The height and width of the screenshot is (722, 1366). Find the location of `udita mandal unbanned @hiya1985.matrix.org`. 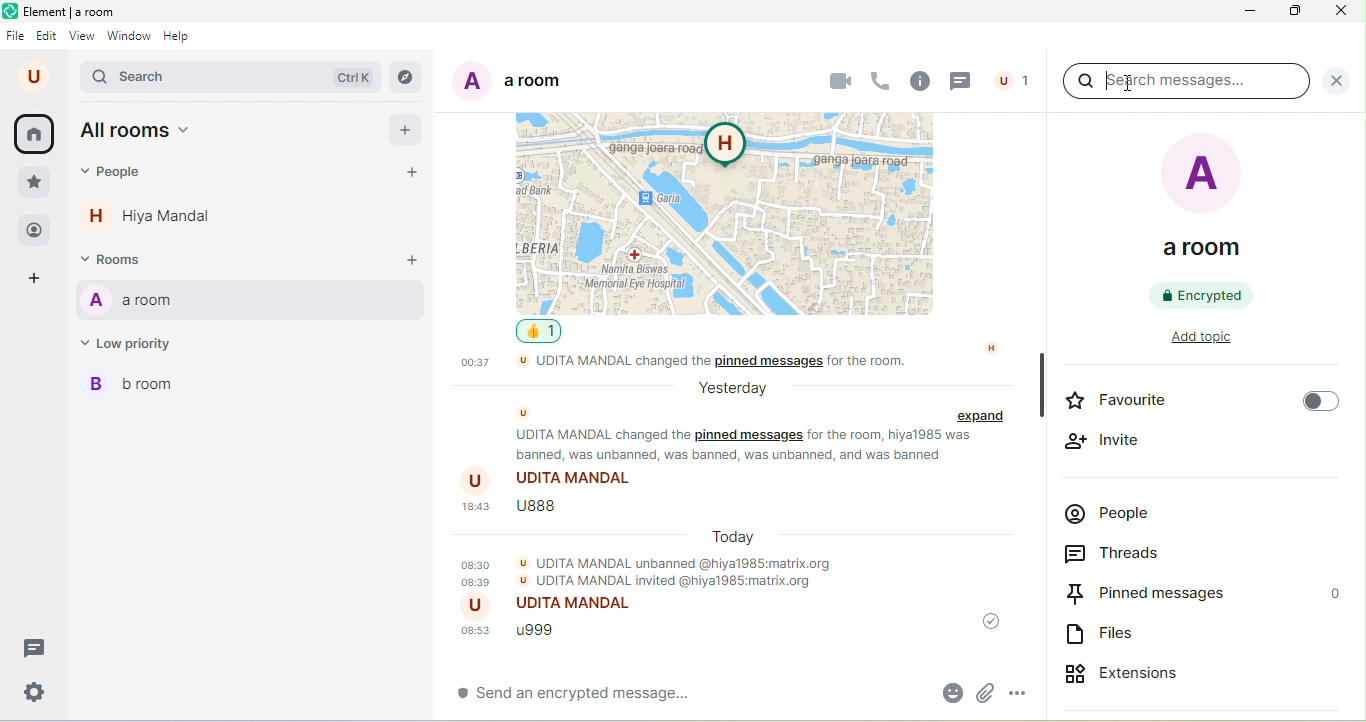

udita mandal unbanned @hiya1985.matrix.org is located at coordinates (653, 571).